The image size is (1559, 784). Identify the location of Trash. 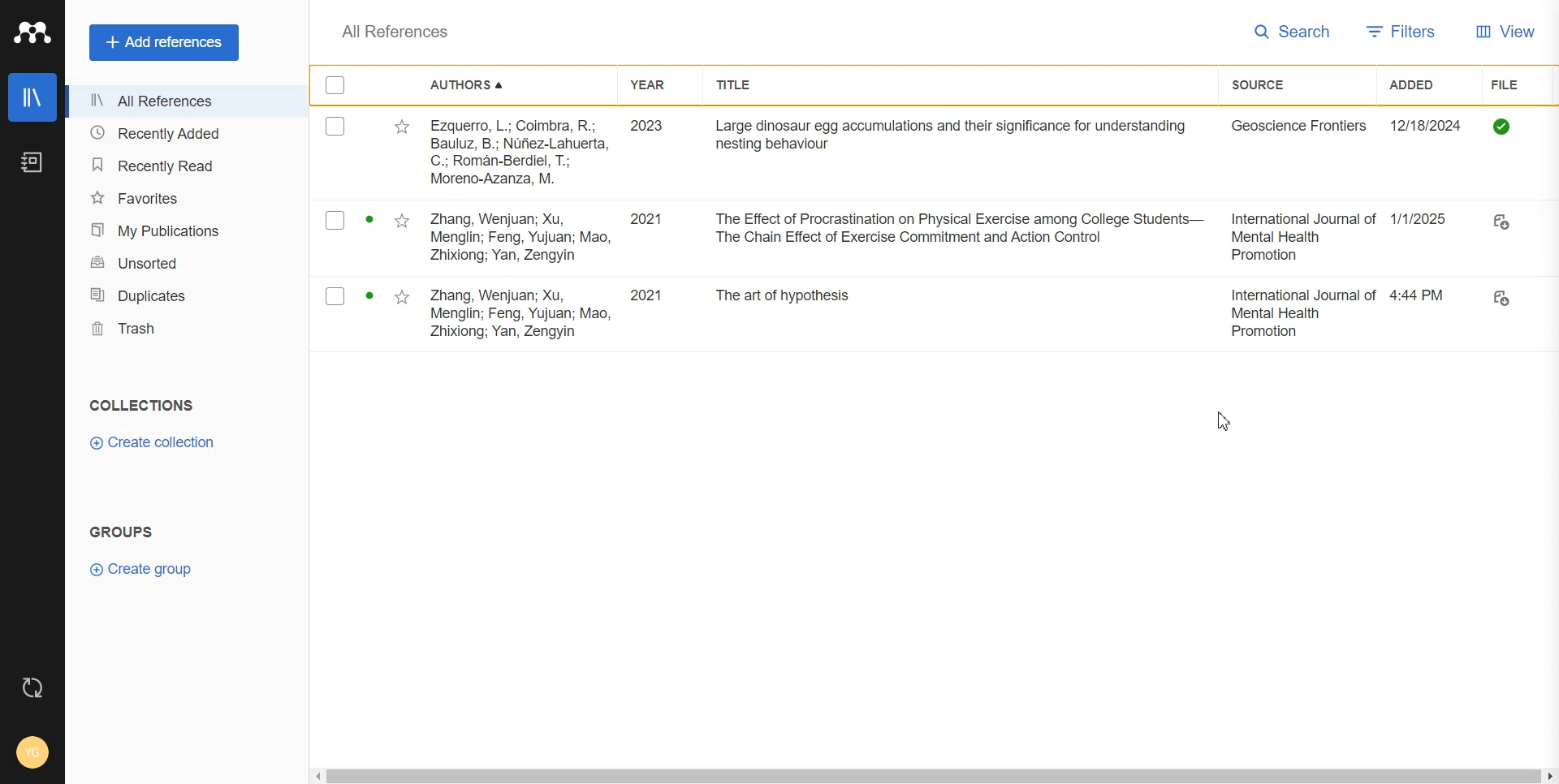
(173, 329).